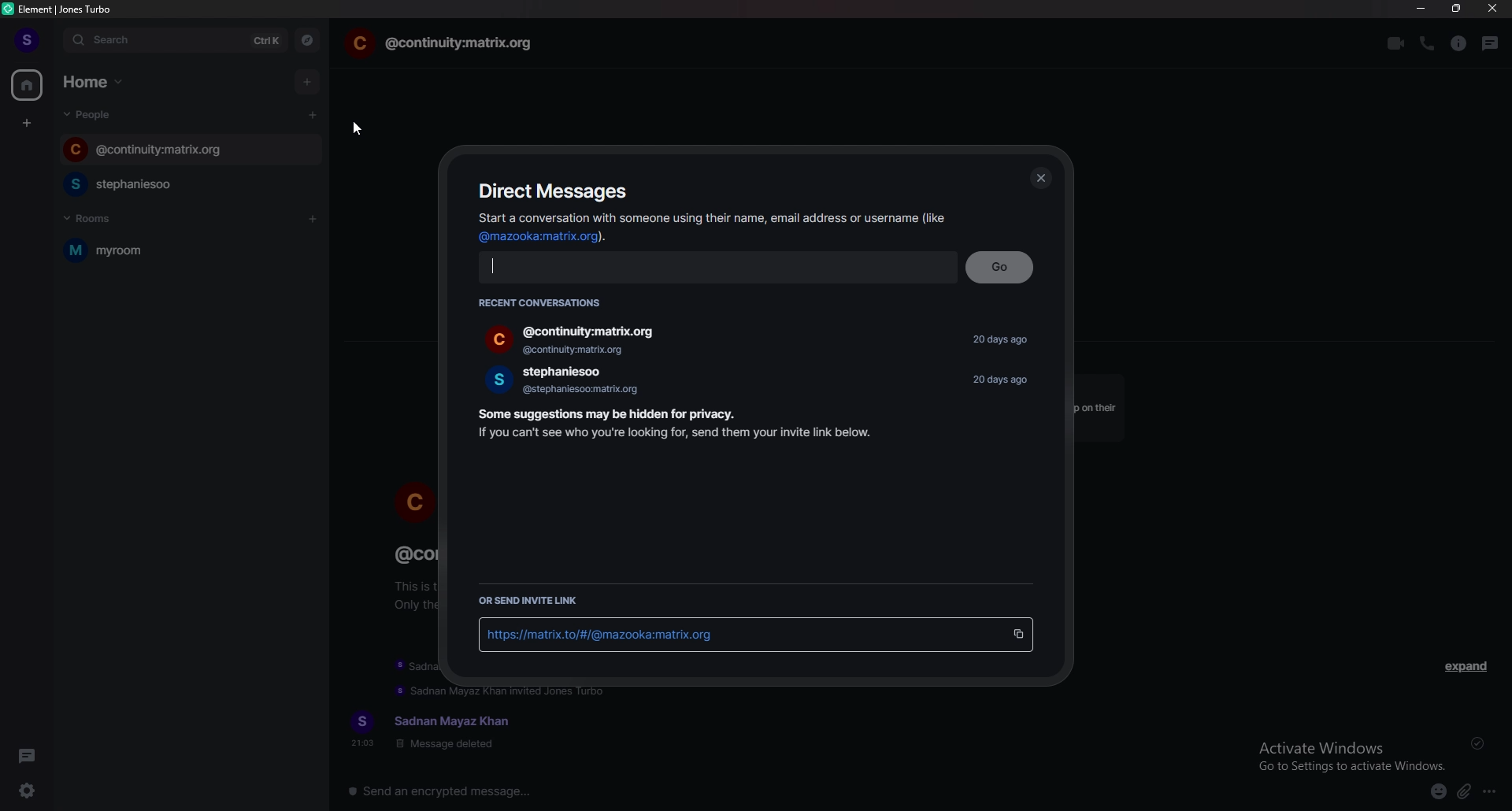  Describe the element at coordinates (107, 218) in the screenshot. I see `rooms` at that location.